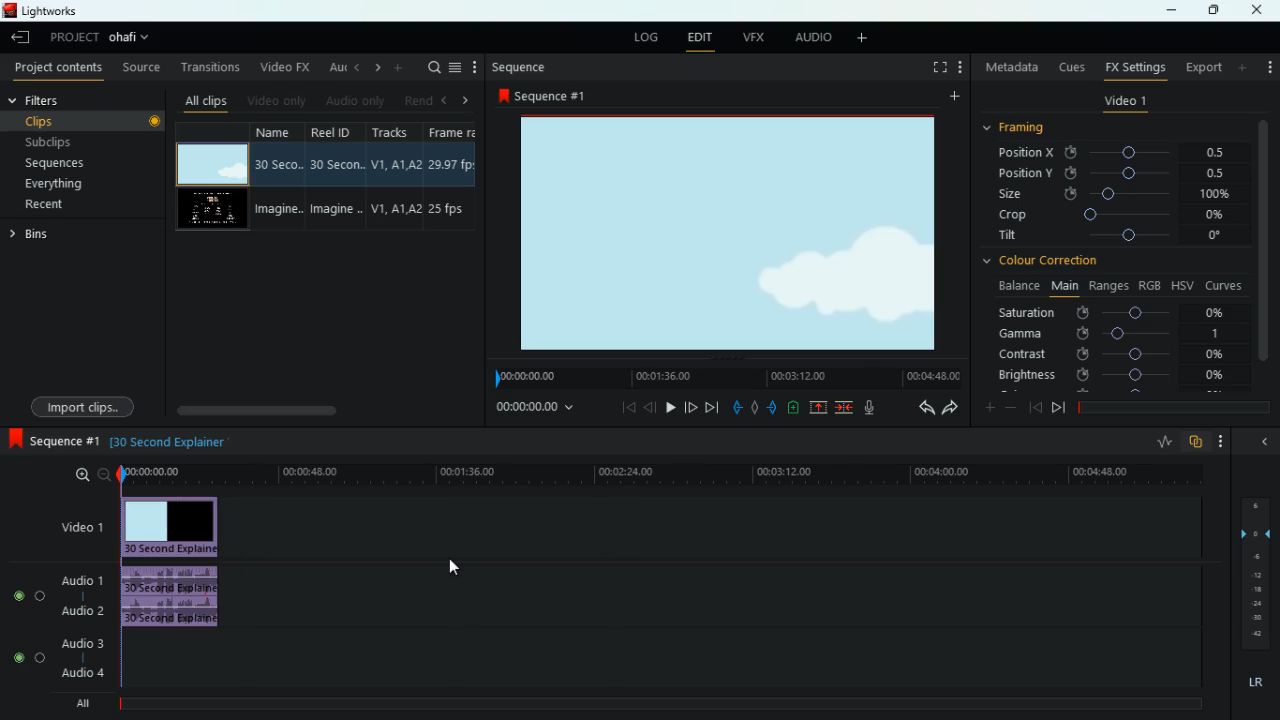  I want to click on audio only, so click(352, 101).